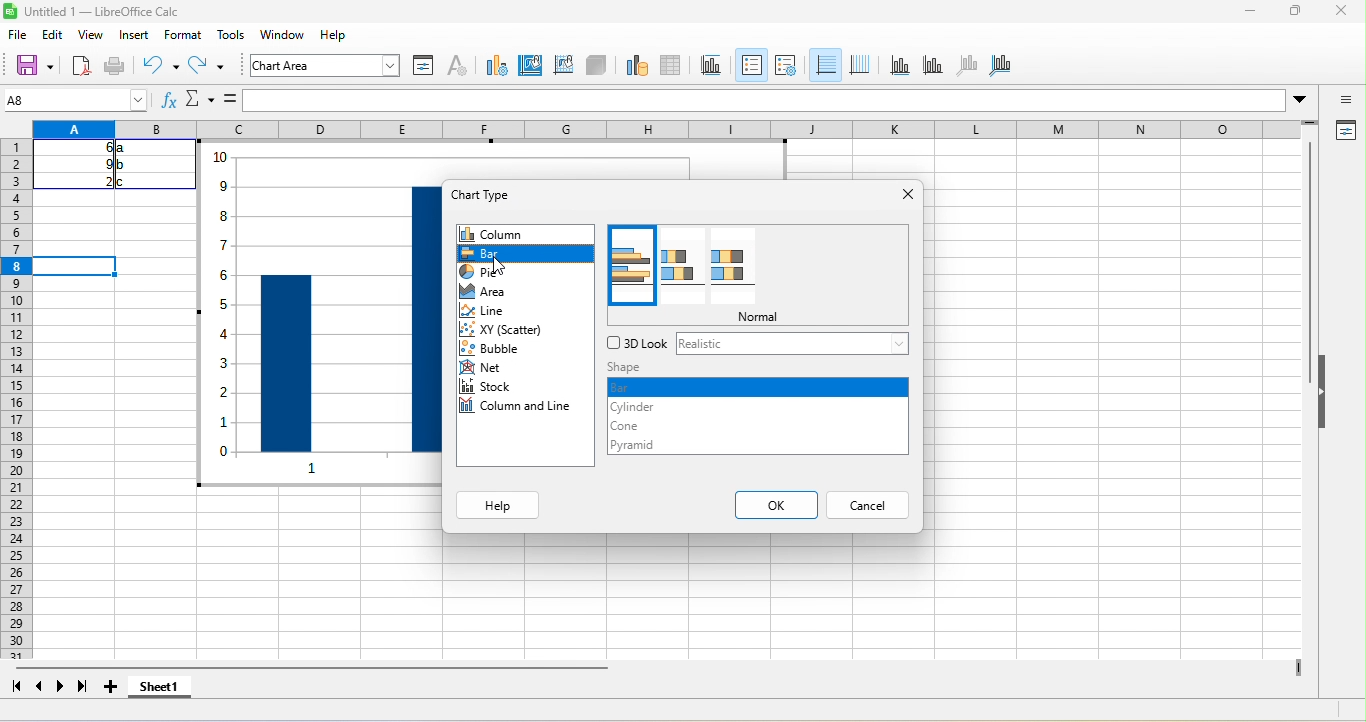  What do you see at coordinates (768, 102) in the screenshot?
I see `formular bar` at bounding box center [768, 102].